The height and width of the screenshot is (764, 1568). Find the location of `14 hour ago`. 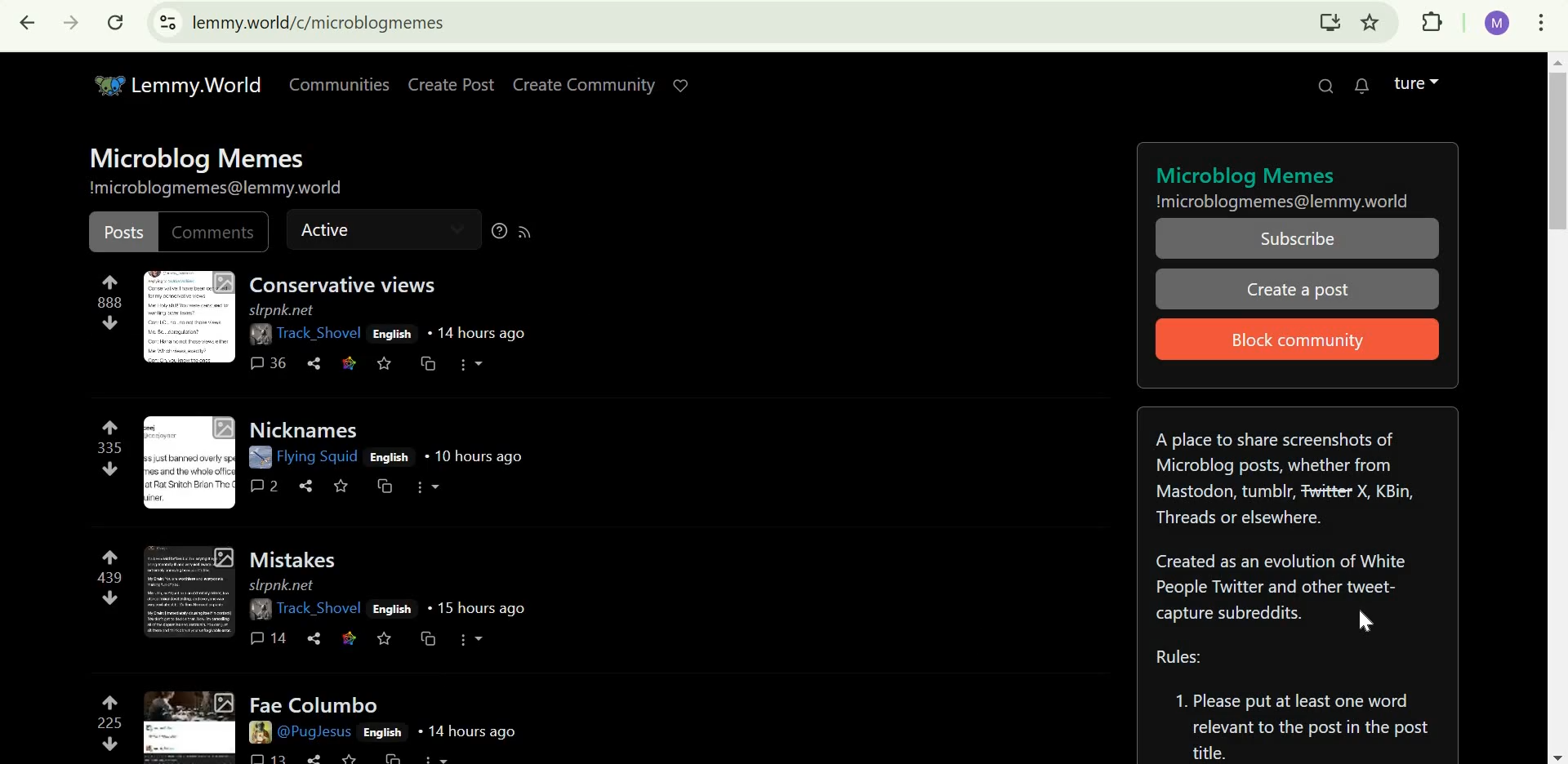

14 hour ago is located at coordinates (466, 733).